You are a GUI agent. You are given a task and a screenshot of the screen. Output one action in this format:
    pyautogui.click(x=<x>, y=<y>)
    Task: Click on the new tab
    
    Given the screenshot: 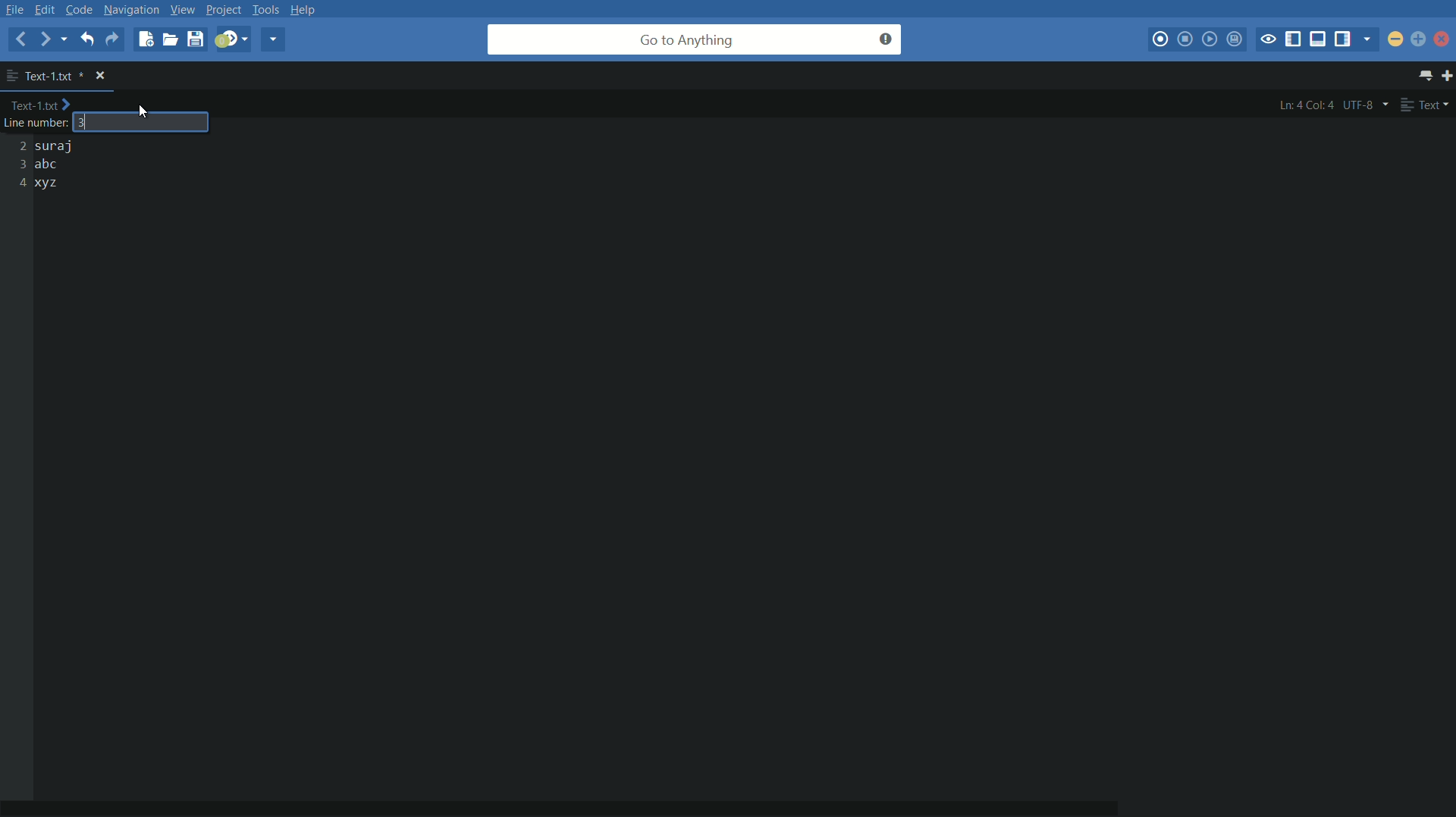 What is the action you would take?
    pyautogui.click(x=1447, y=77)
    